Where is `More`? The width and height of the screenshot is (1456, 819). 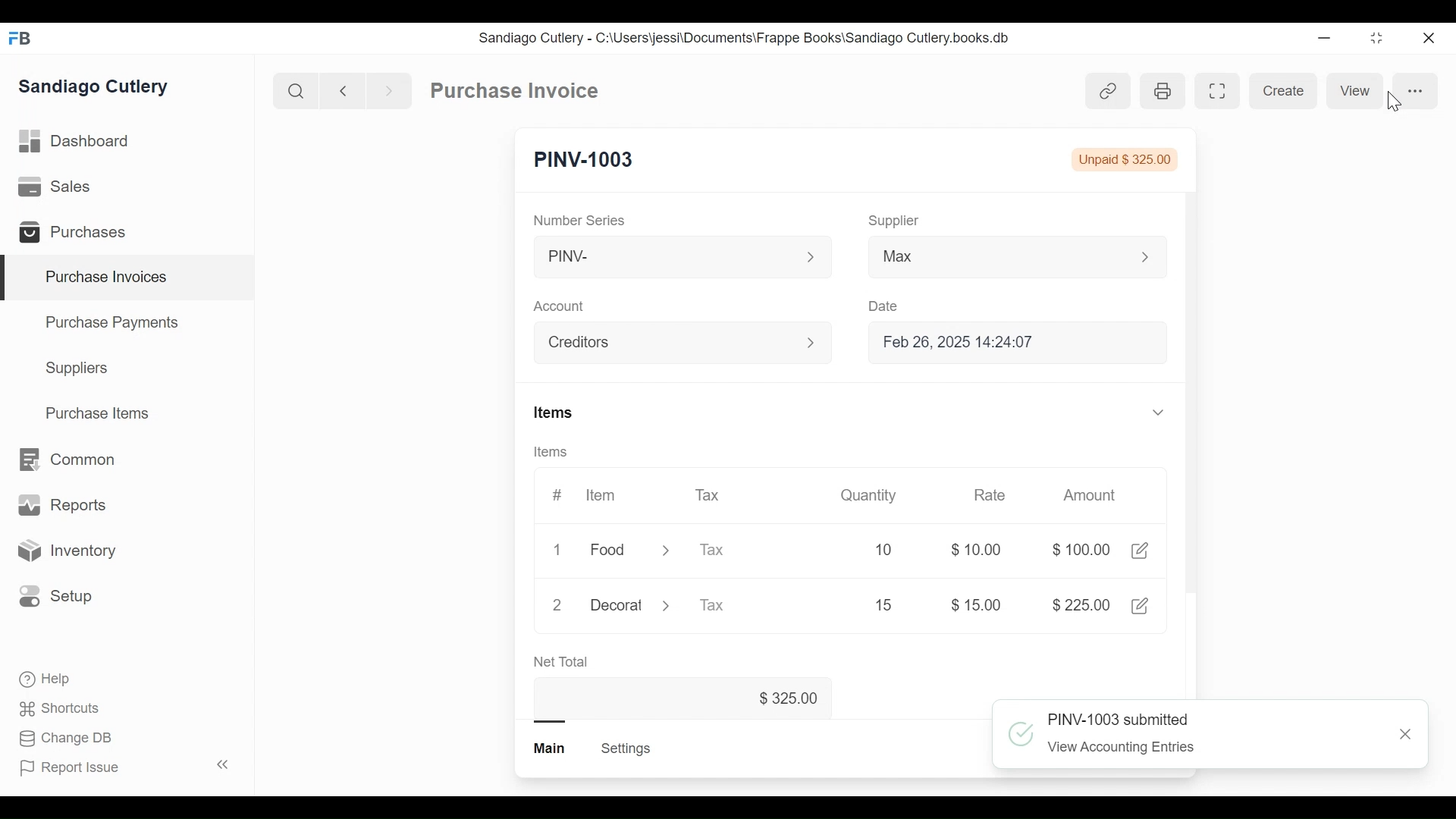
More is located at coordinates (1417, 90).